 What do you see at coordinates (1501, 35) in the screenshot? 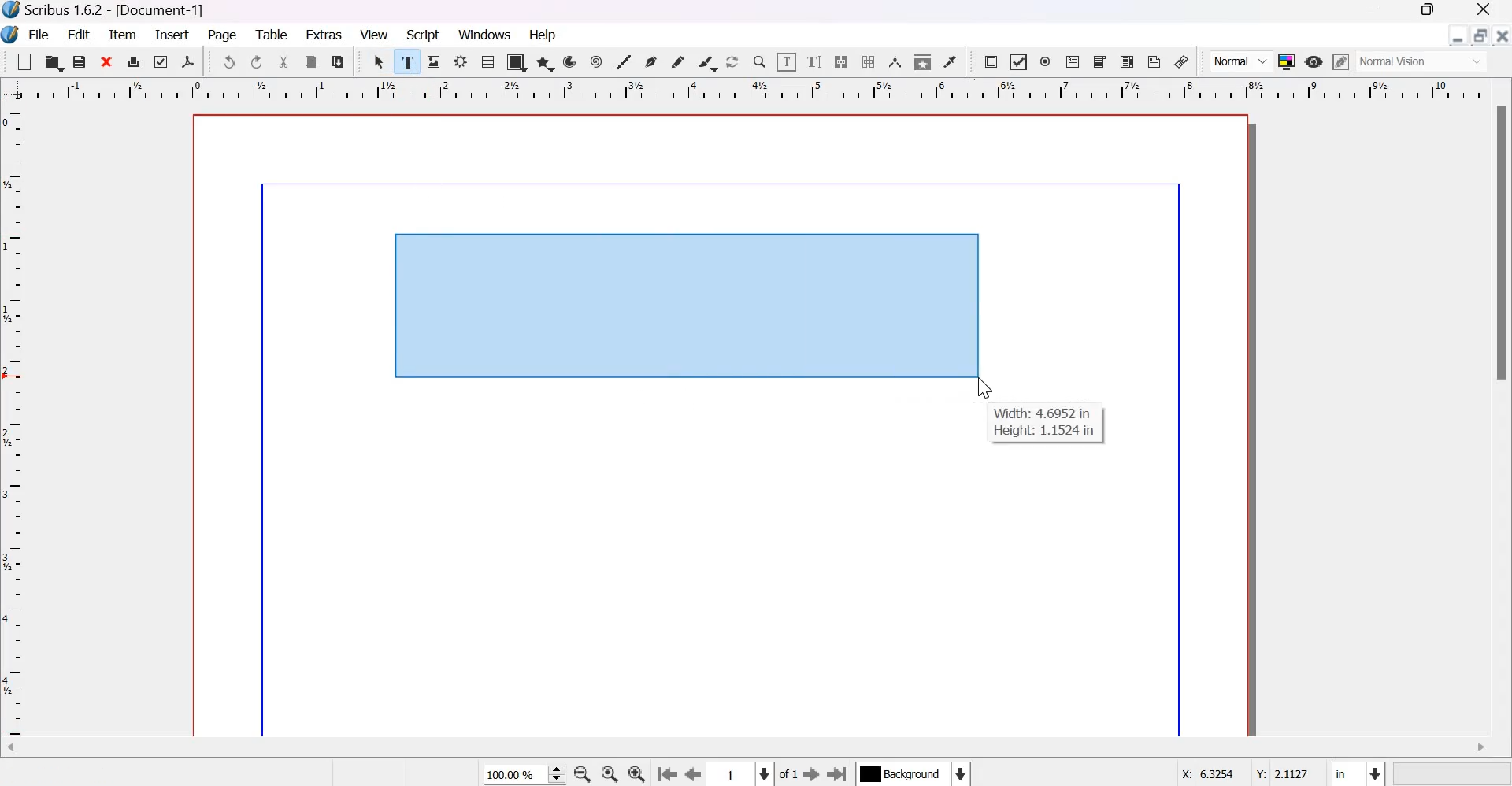
I see `close` at bounding box center [1501, 35].